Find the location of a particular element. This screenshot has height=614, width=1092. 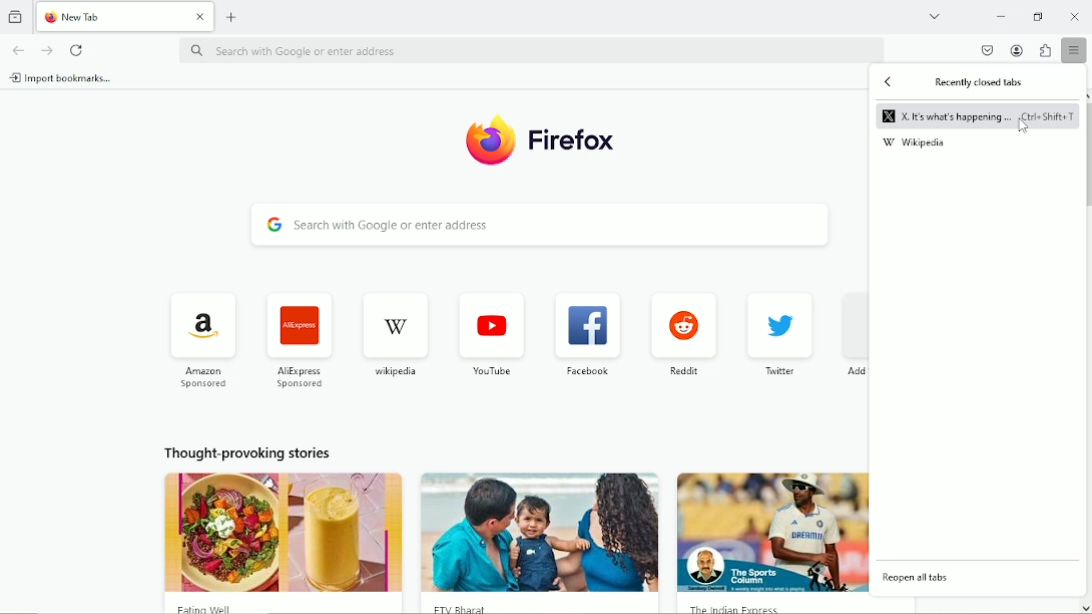

open application menu is located at coordinates (1072, 50).